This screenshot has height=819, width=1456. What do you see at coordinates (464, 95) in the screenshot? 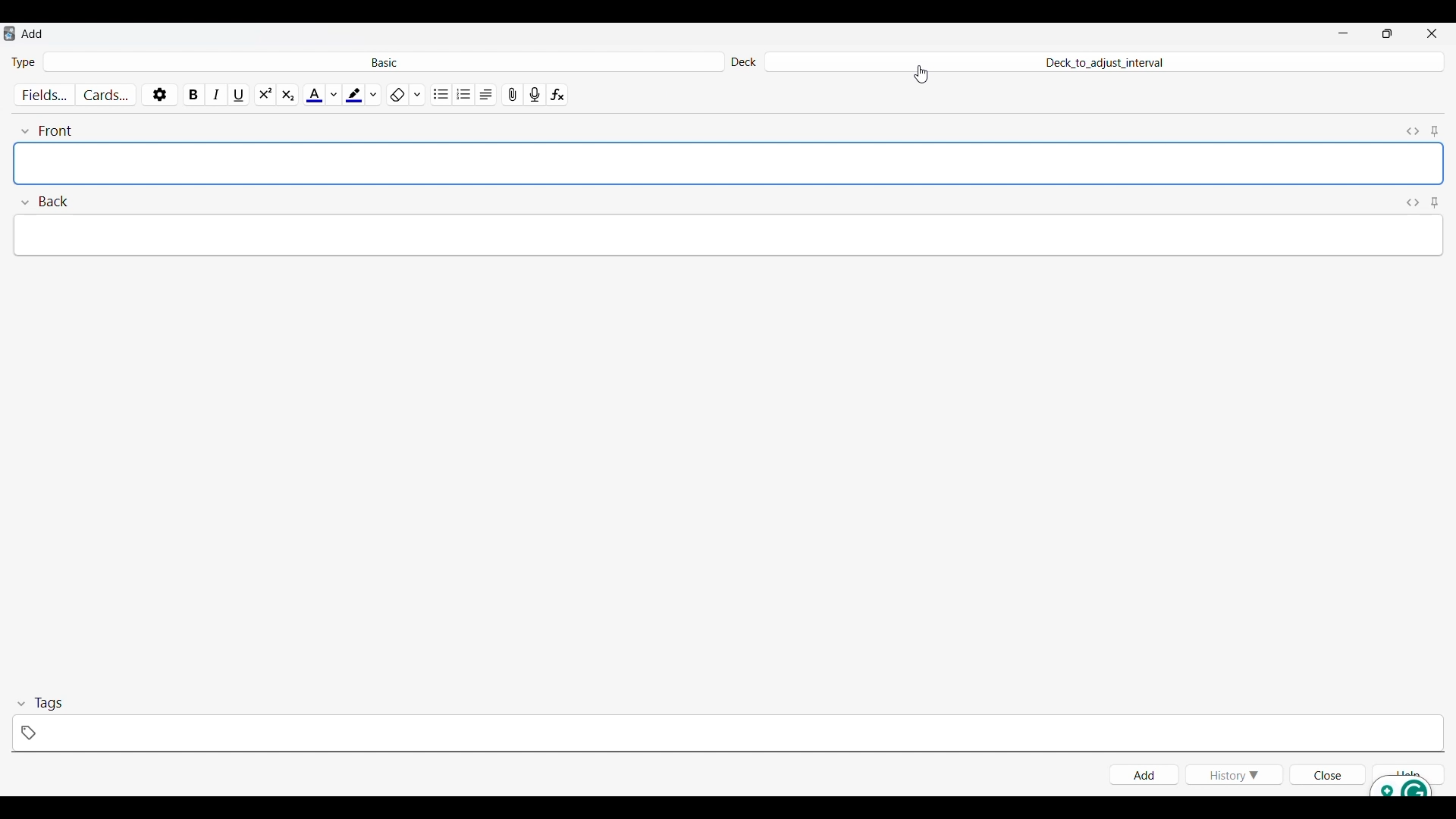
I see `Ordered list` at bounding box center [464, 95].